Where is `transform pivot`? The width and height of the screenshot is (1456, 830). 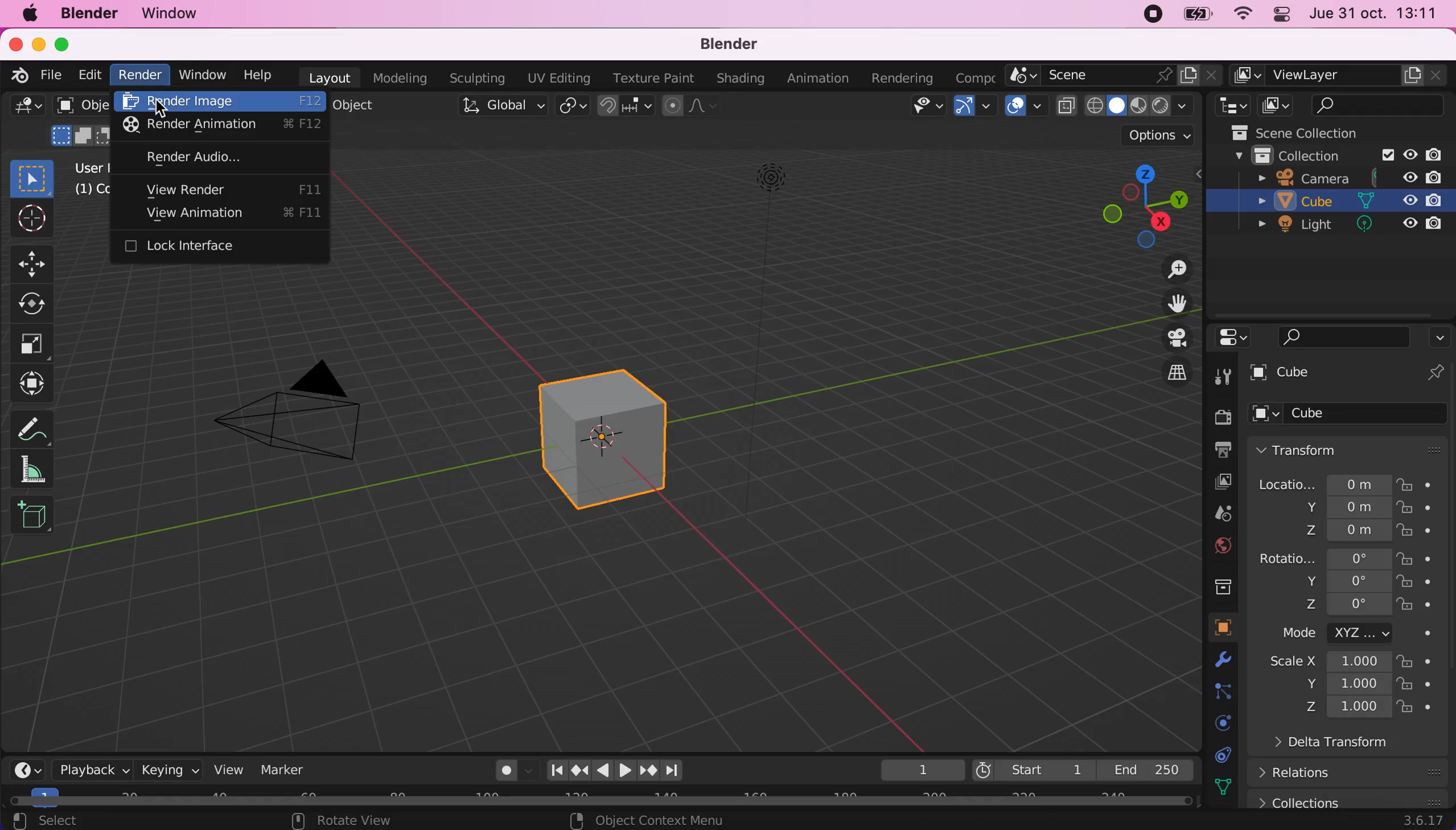 transform pivot is located at coordinates (572, 111).